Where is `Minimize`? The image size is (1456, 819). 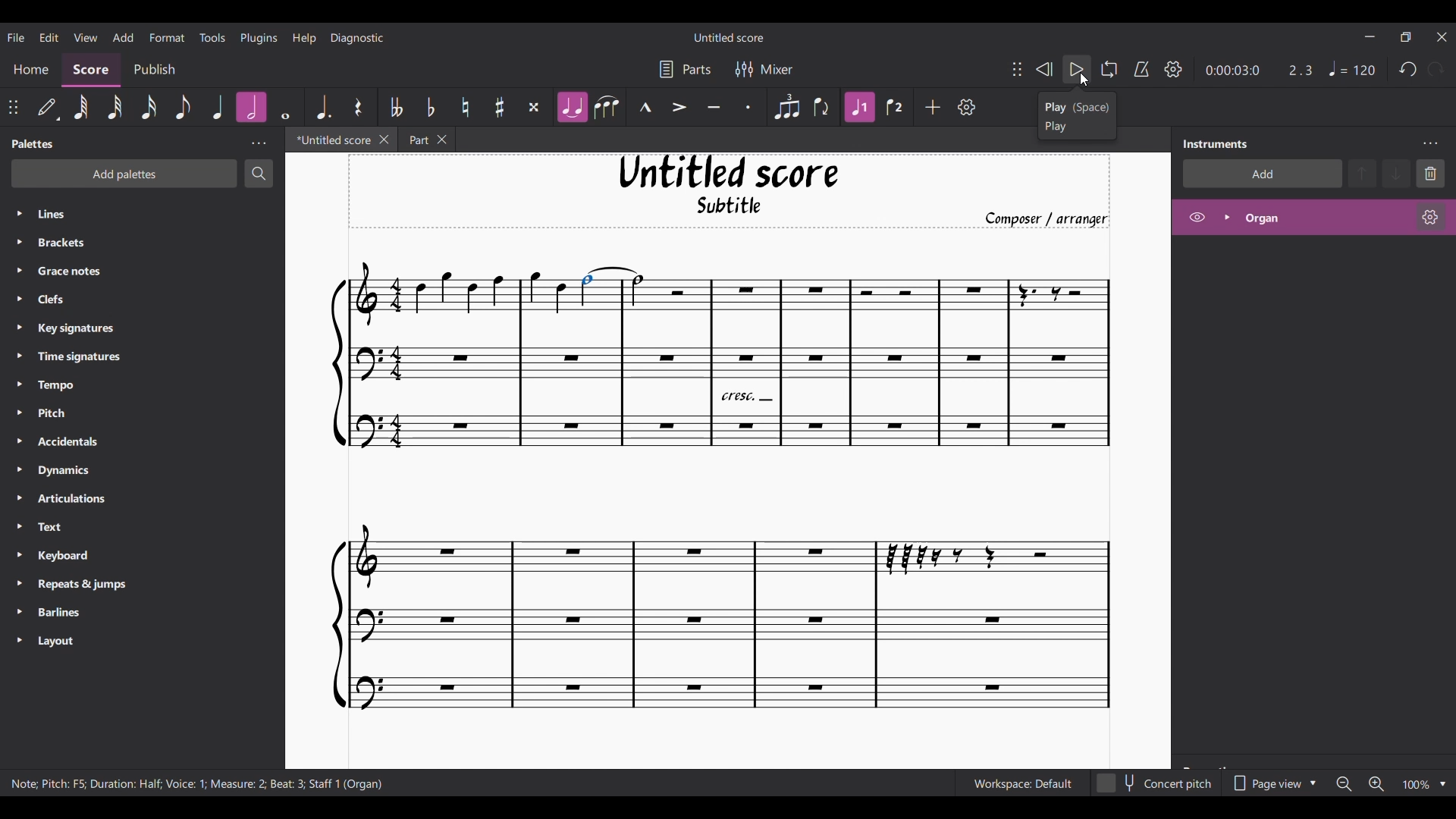 Minimize is located at coordinates (1371, 36).